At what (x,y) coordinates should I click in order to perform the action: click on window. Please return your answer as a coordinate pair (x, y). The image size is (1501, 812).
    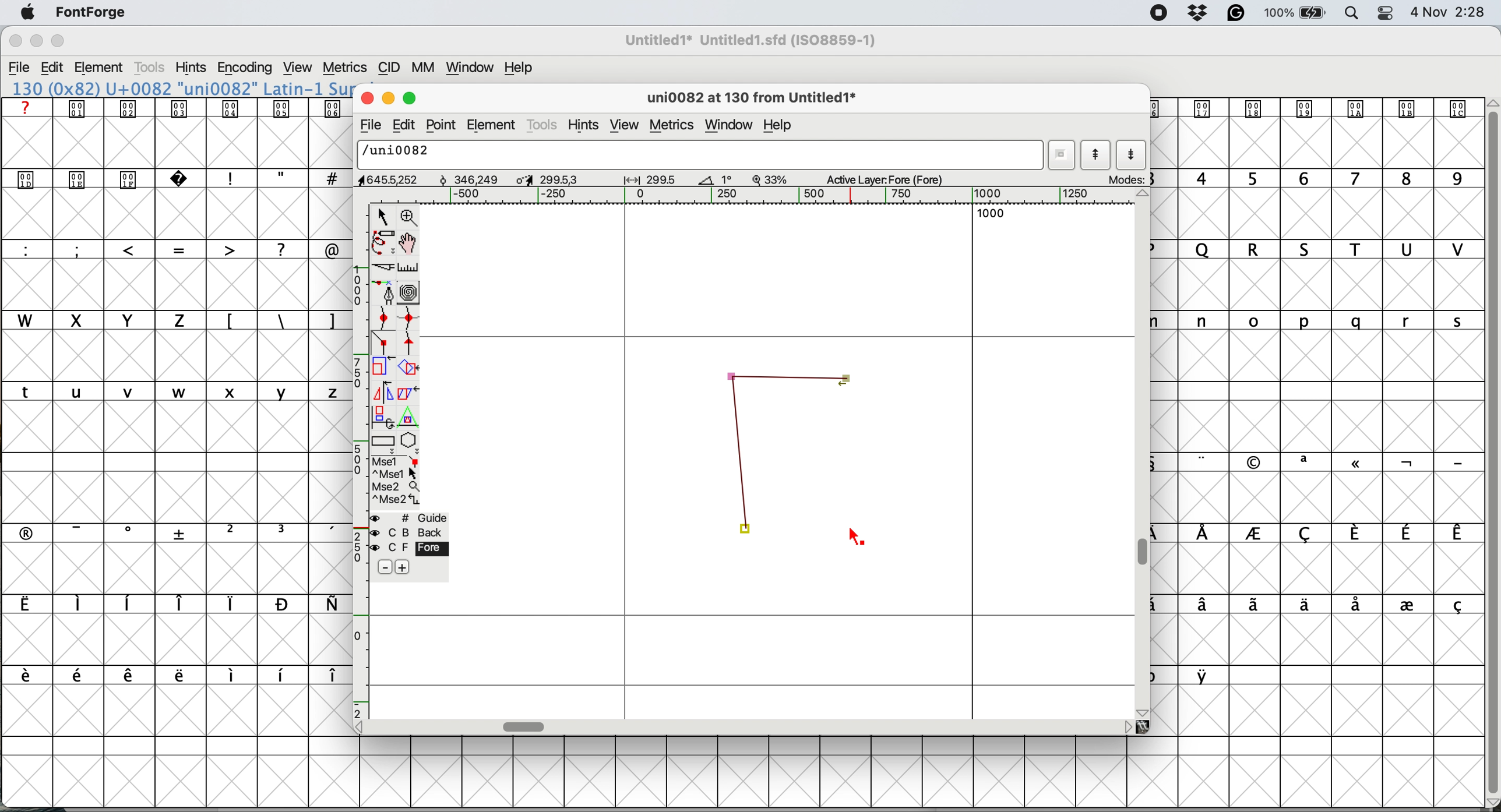
    Looking at the image, I should click on (472, 68).